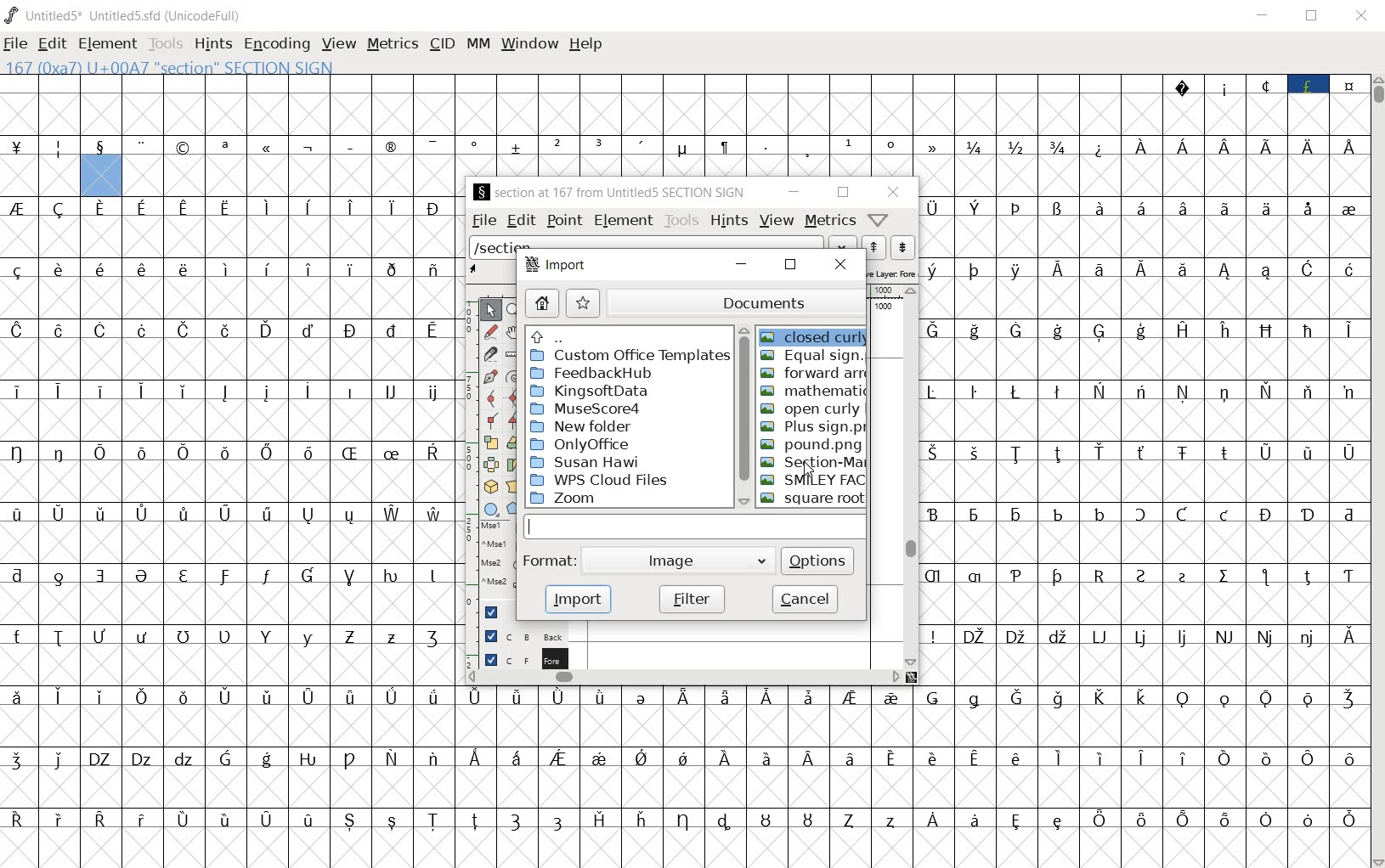 The height and width of the screenshot is (868, 1385). Describe the element at coordinates (582, 600) in the screenshot. I see `import` at that location.